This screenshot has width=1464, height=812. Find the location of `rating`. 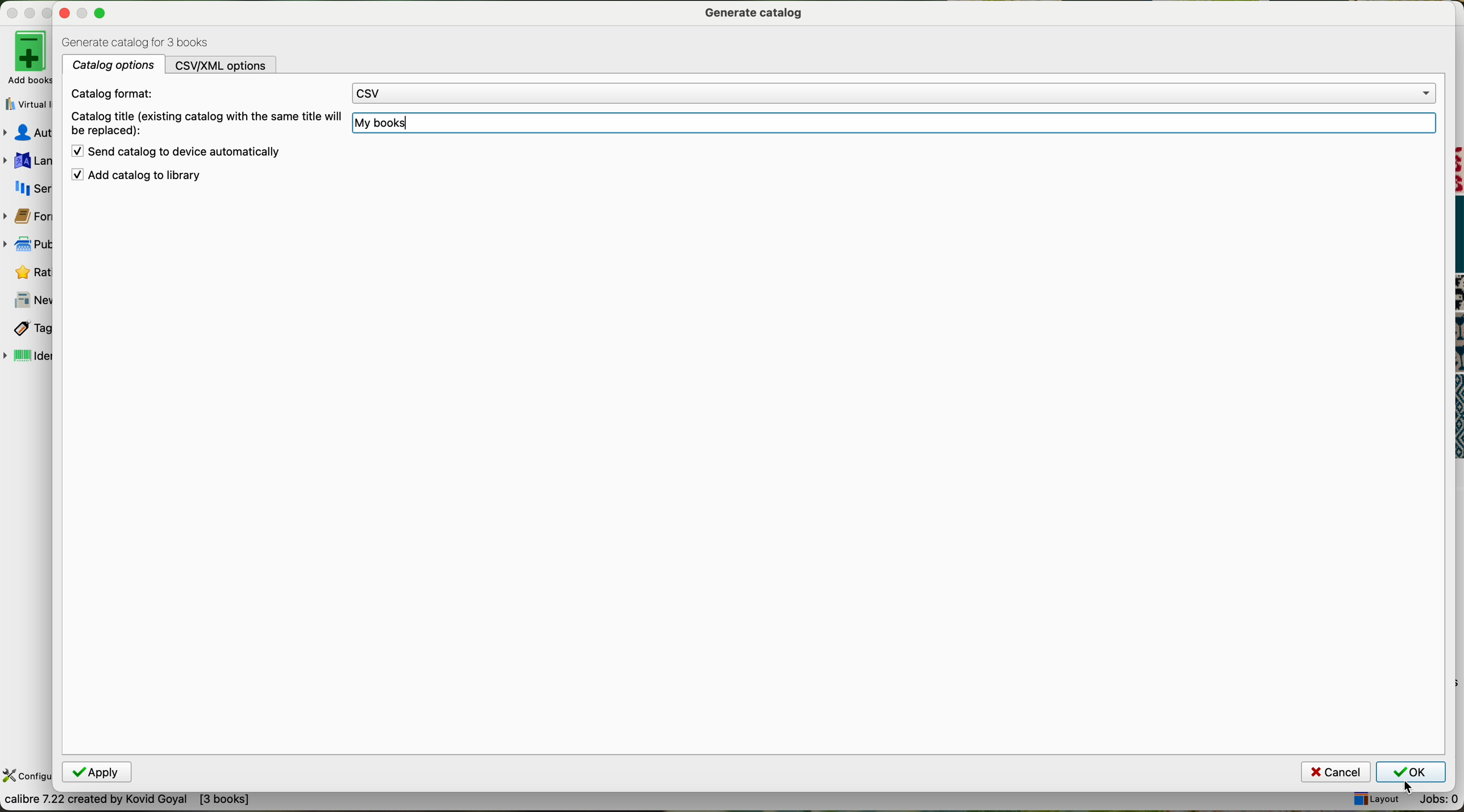

rating is located at coordinates (29, 273).